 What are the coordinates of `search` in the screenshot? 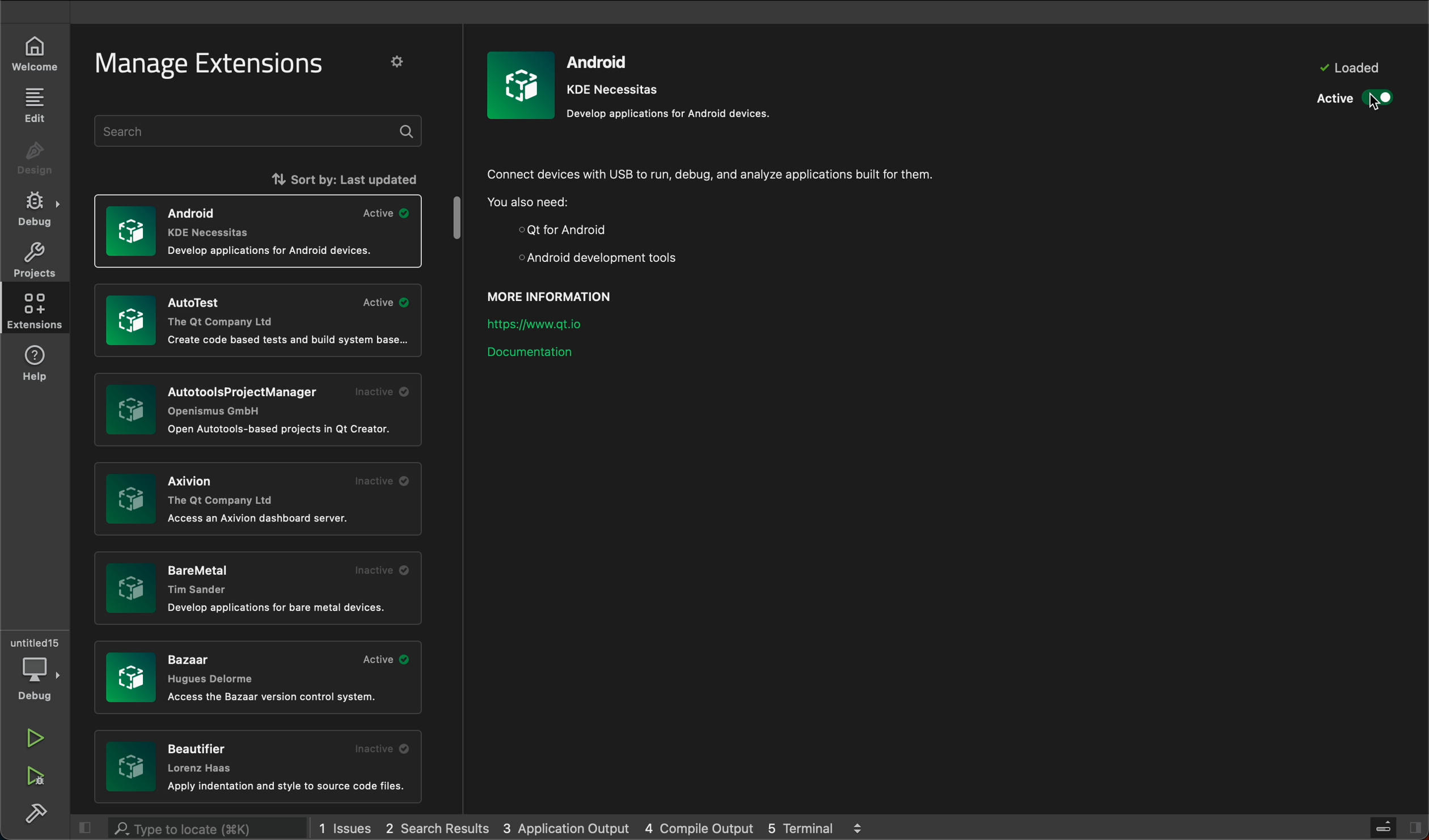 It's located at (261, 131).